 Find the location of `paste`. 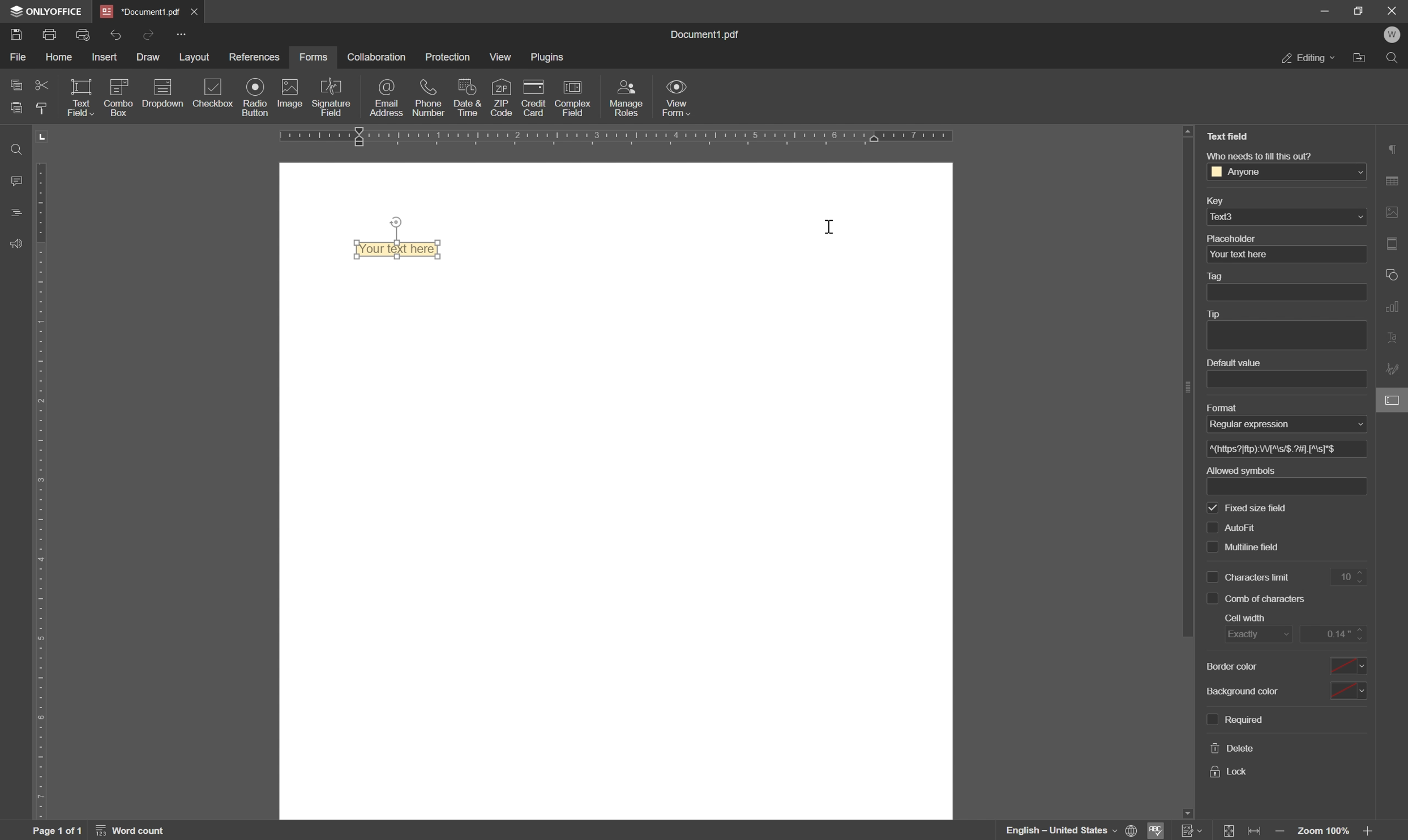

paste is located at coordinates (17, 107).